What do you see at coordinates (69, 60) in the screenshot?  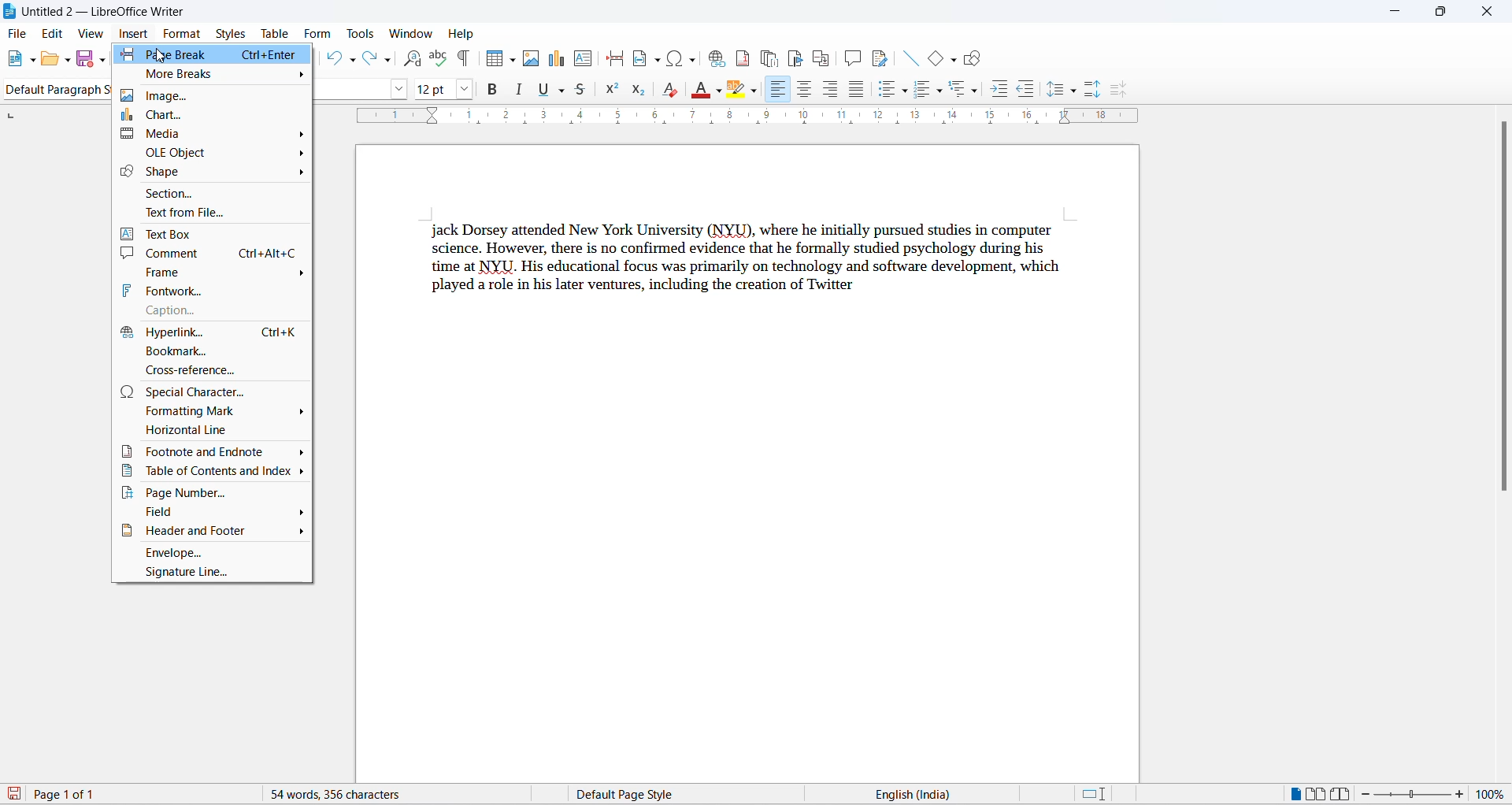 I see `open options` at bounding box center [69, 60].